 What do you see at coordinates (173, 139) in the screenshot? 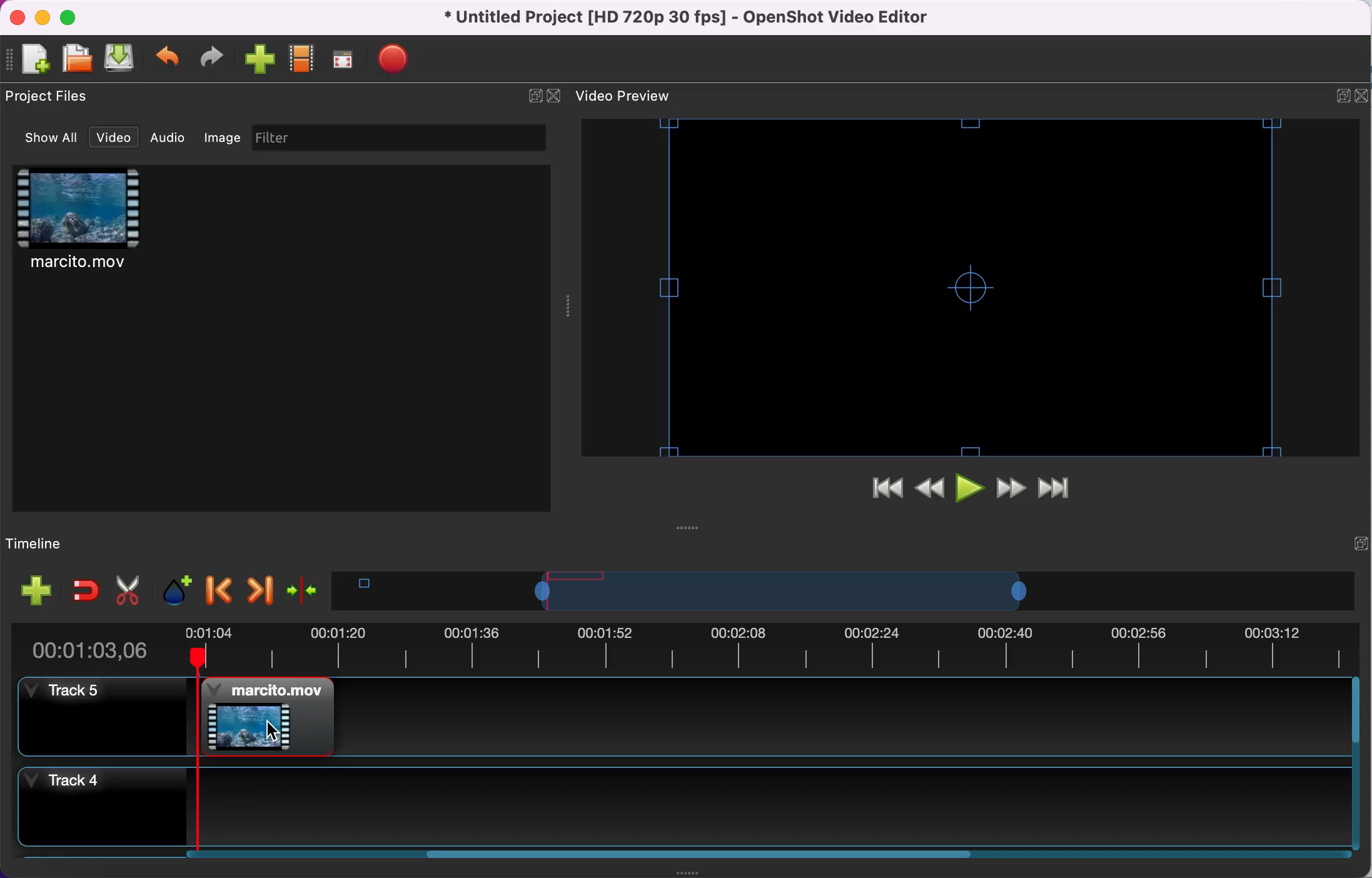
I see `audio` at bounding box center [173, 139].